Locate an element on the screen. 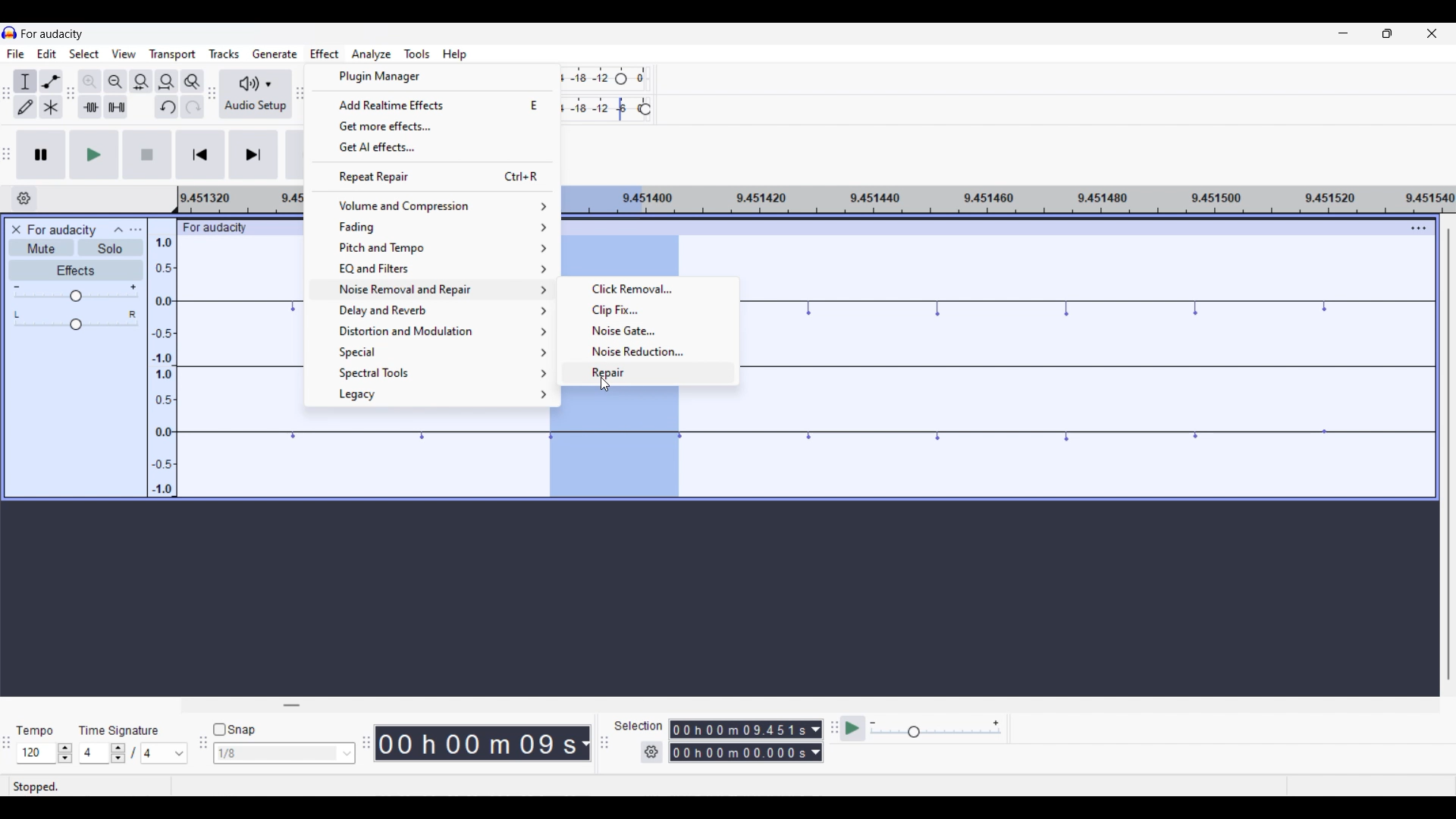 The height and width of the screenshot is (819, 1456). Fit project to width is located at coordinates (167, 81).